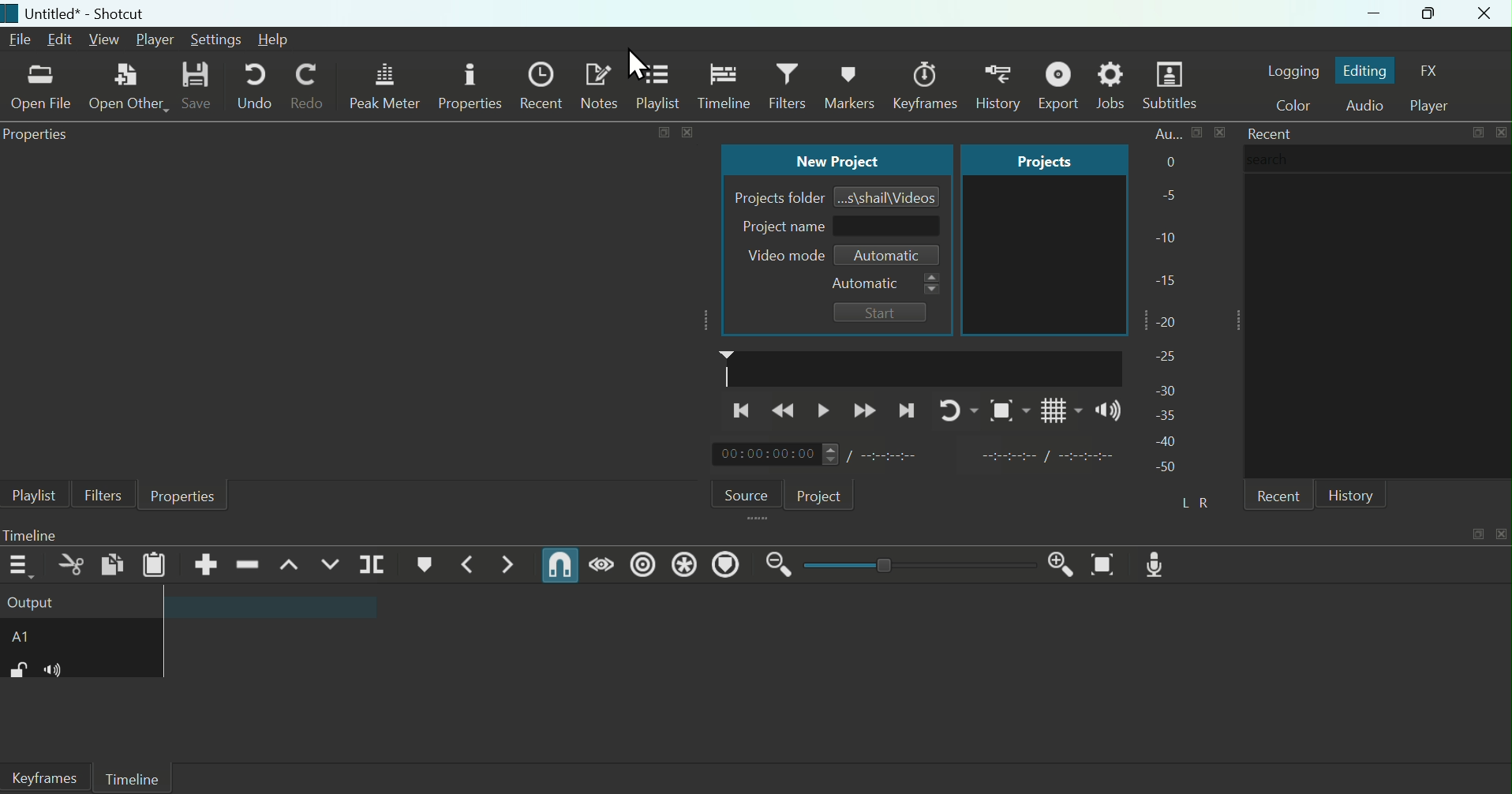 This screenshot has height=794, width=1512. I want to click on Re-Play, so click(951, 408).